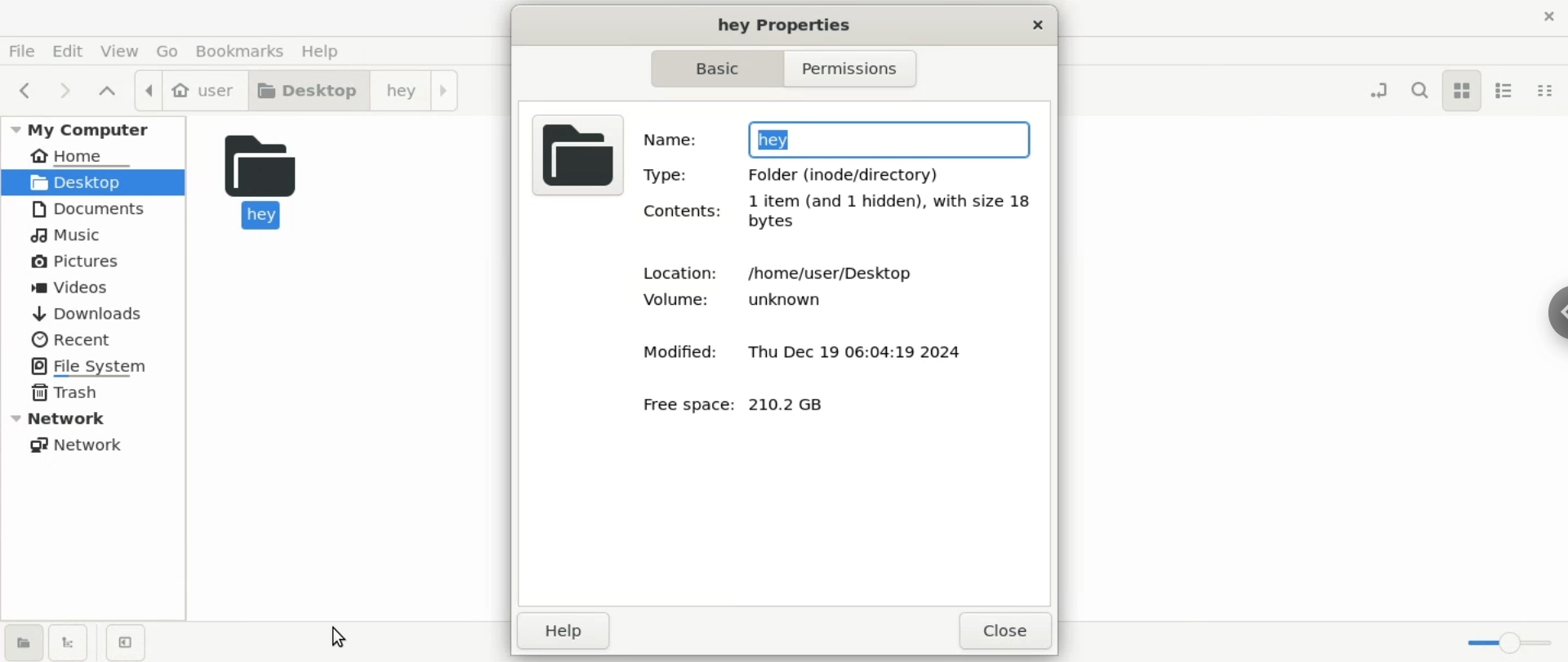 The image size is (1568, 662). I want to click on /home/user/Desktop, so click(831, 275).